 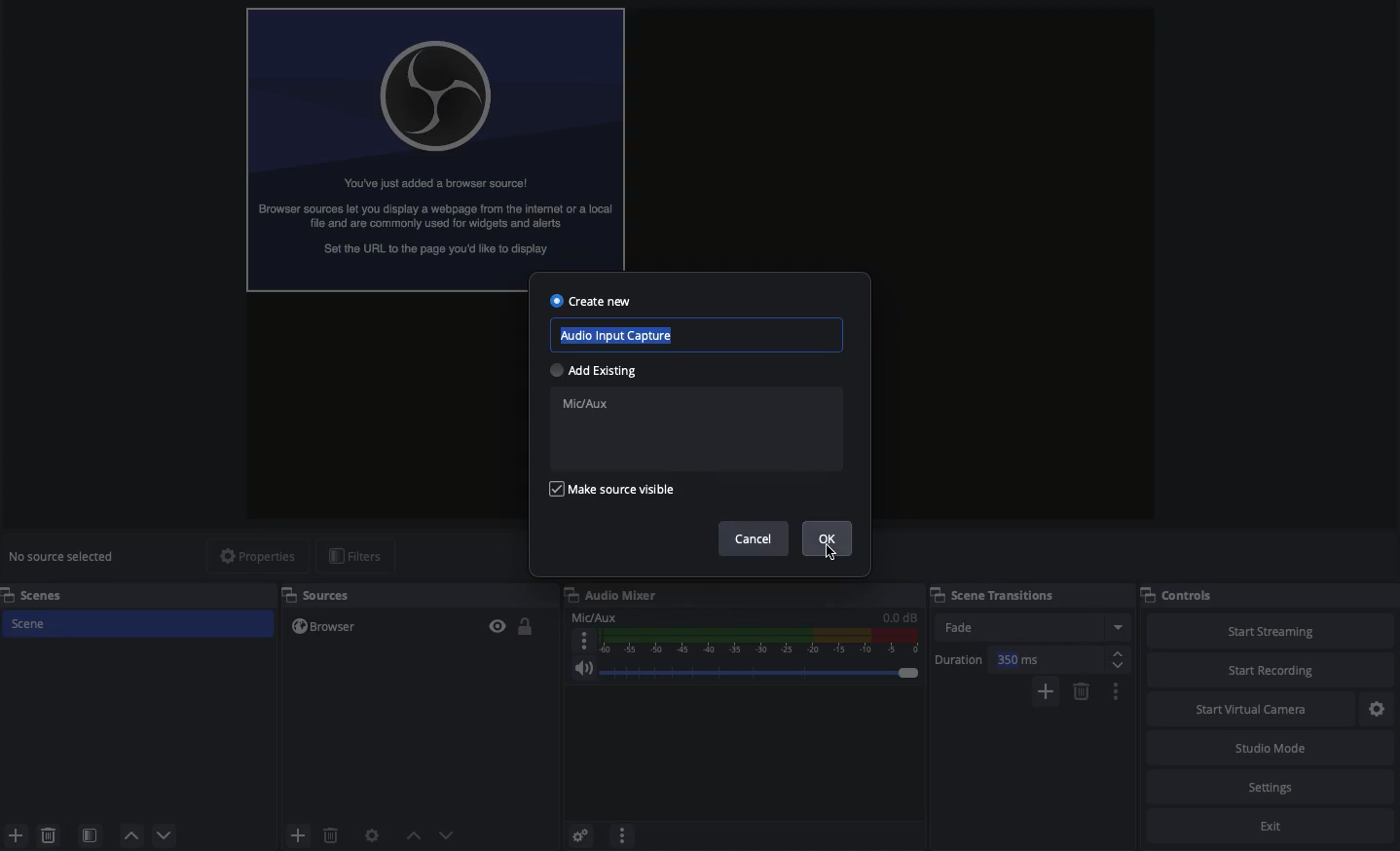 What do you see at coordinates (702, 335) in the screenshot?
I see `Audio input capture` at bounding box center [702, 335].